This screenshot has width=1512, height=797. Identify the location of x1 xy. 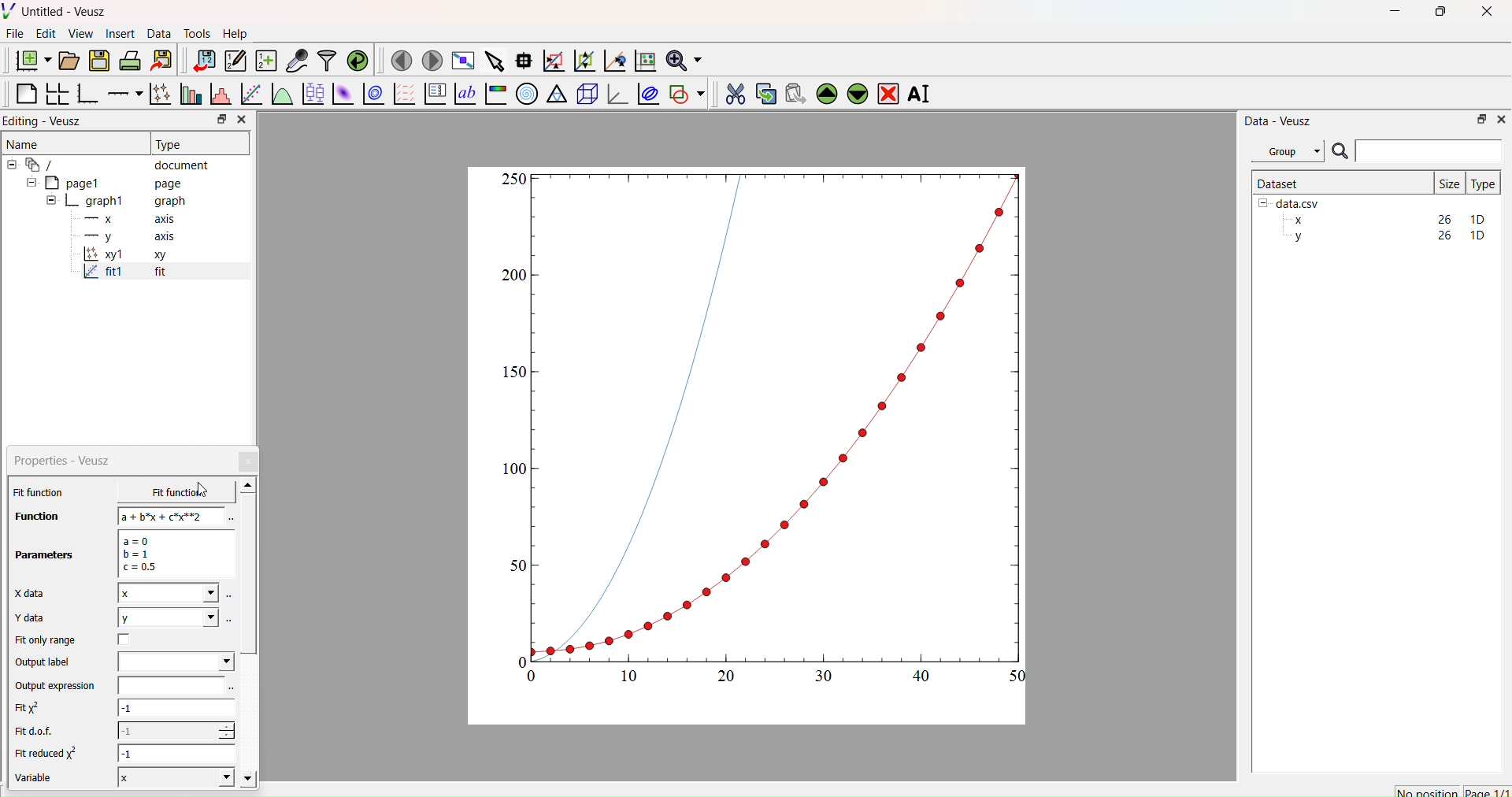
(124, 256).